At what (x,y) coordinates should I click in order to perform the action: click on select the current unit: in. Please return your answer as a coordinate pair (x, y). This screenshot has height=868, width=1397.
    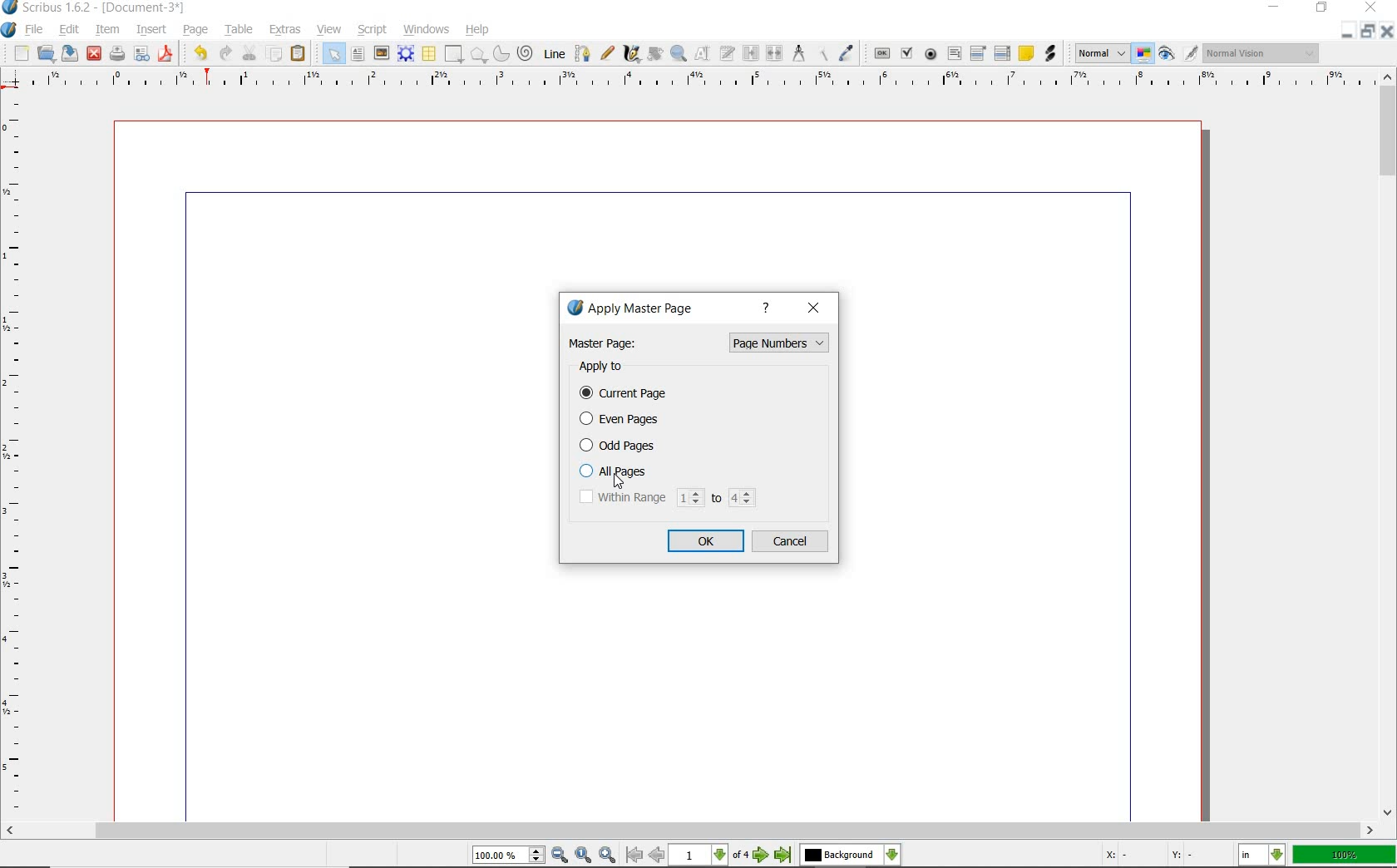
    Looking at the image, I should click on (1261, 855).